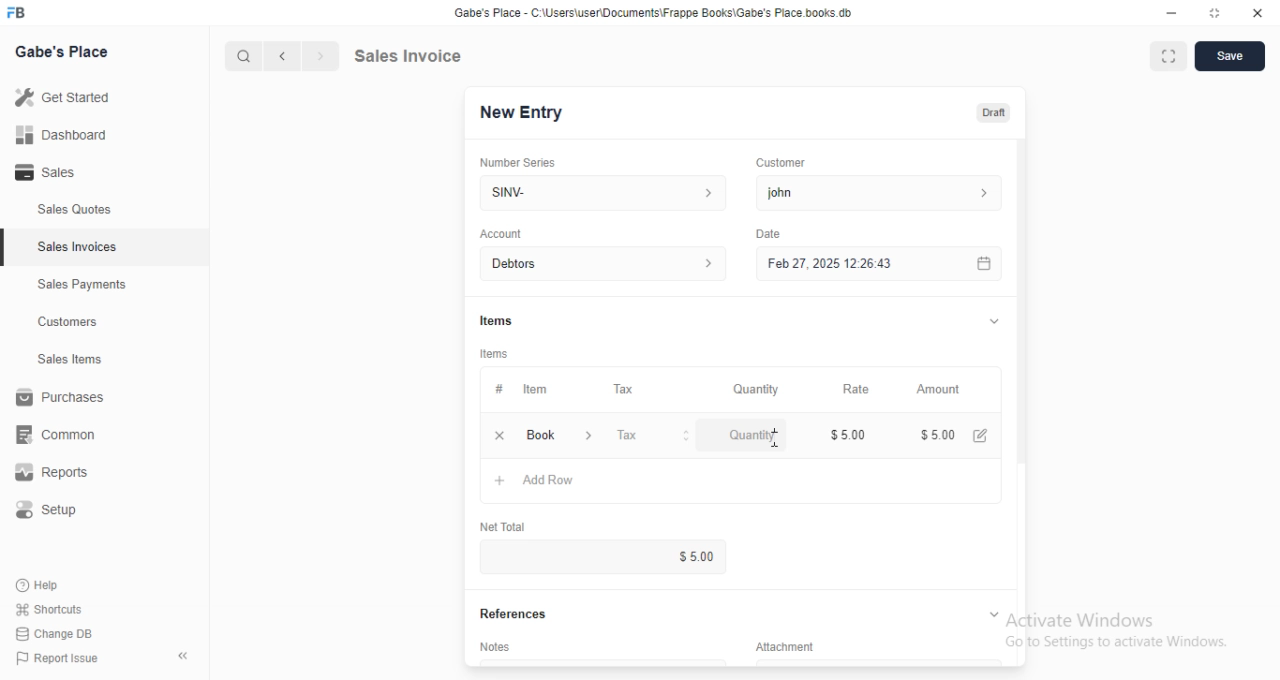  What do you see at coordinates (502, 433) in the screenshot?
I see `remove row` at bounding box center [502, 433].